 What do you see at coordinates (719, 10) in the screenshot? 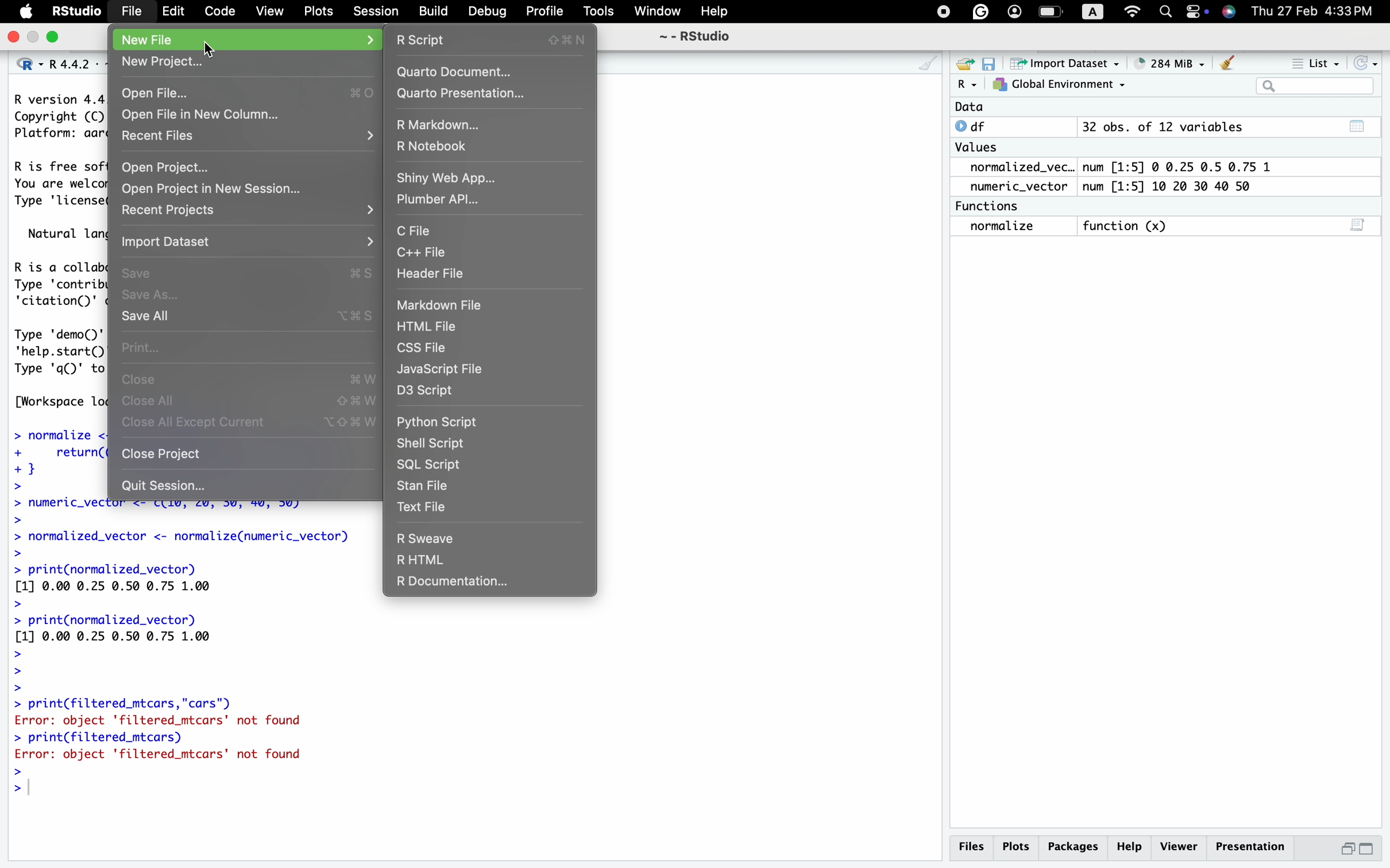
I see `Help` at bounding box center [719, 10].